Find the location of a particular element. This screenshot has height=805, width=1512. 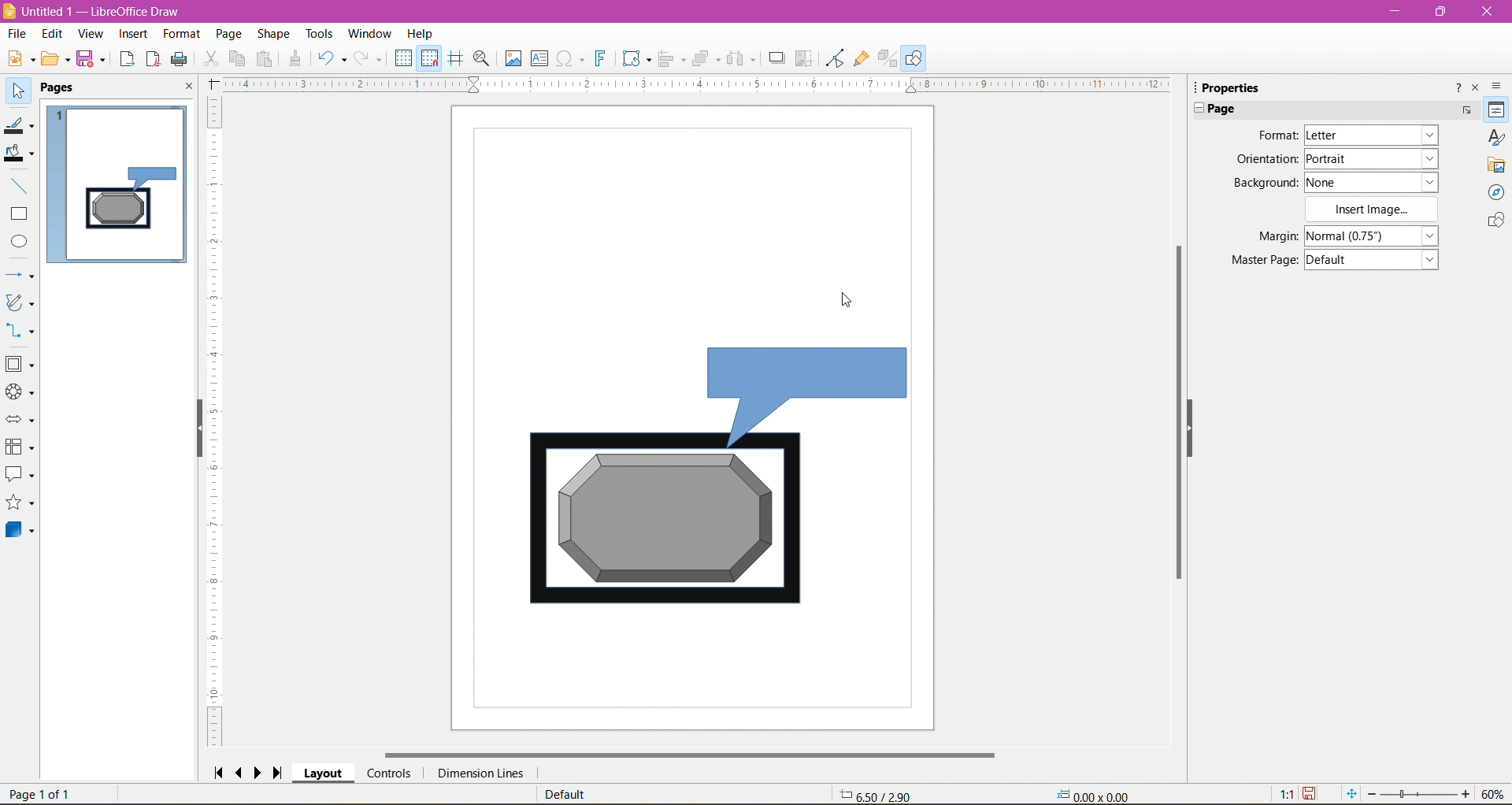

Gallery is located at coordinates (1496, 165).